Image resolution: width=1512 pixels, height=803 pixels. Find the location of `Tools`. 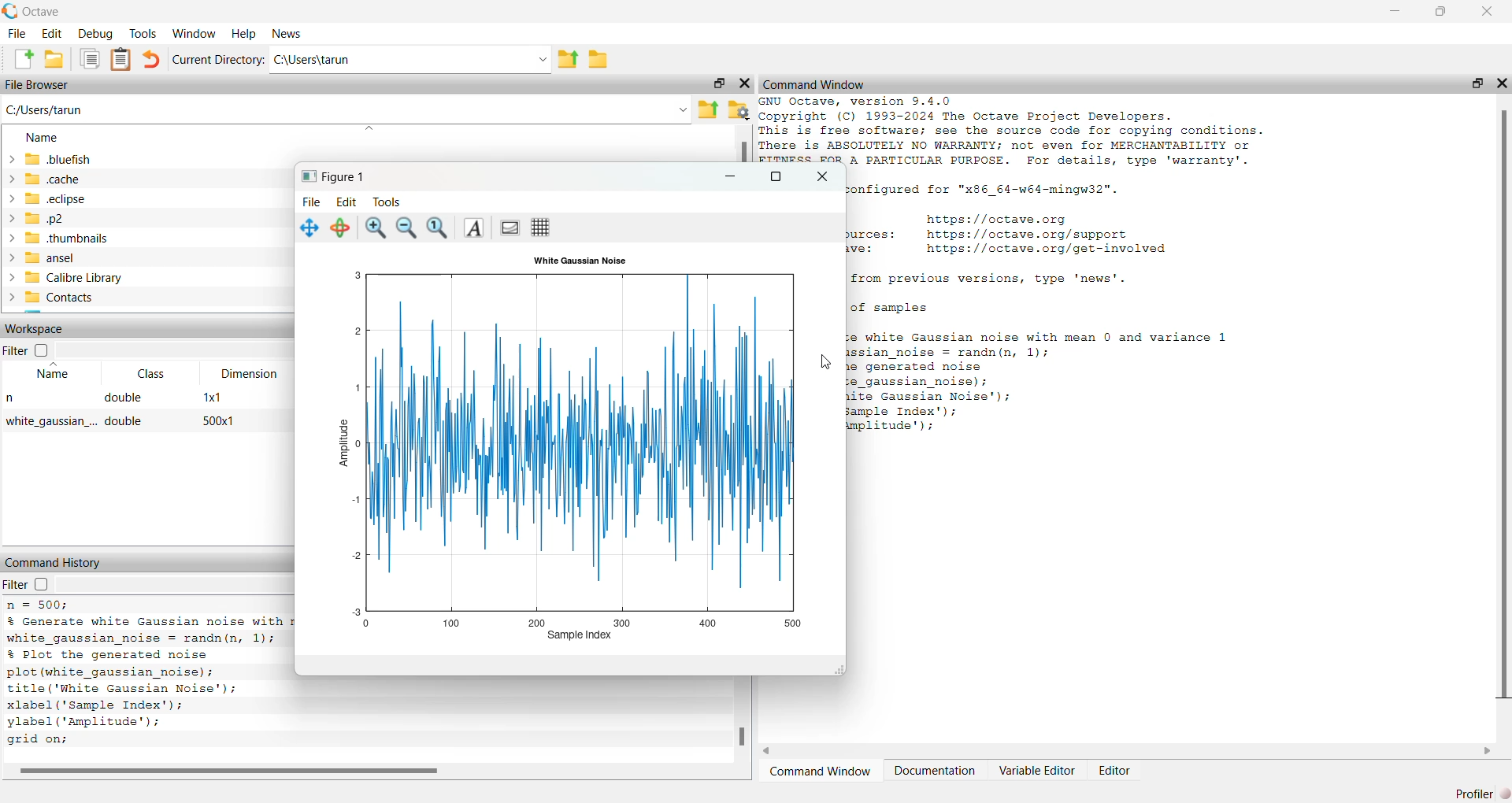

Tools is located at coordinates (141, 33).